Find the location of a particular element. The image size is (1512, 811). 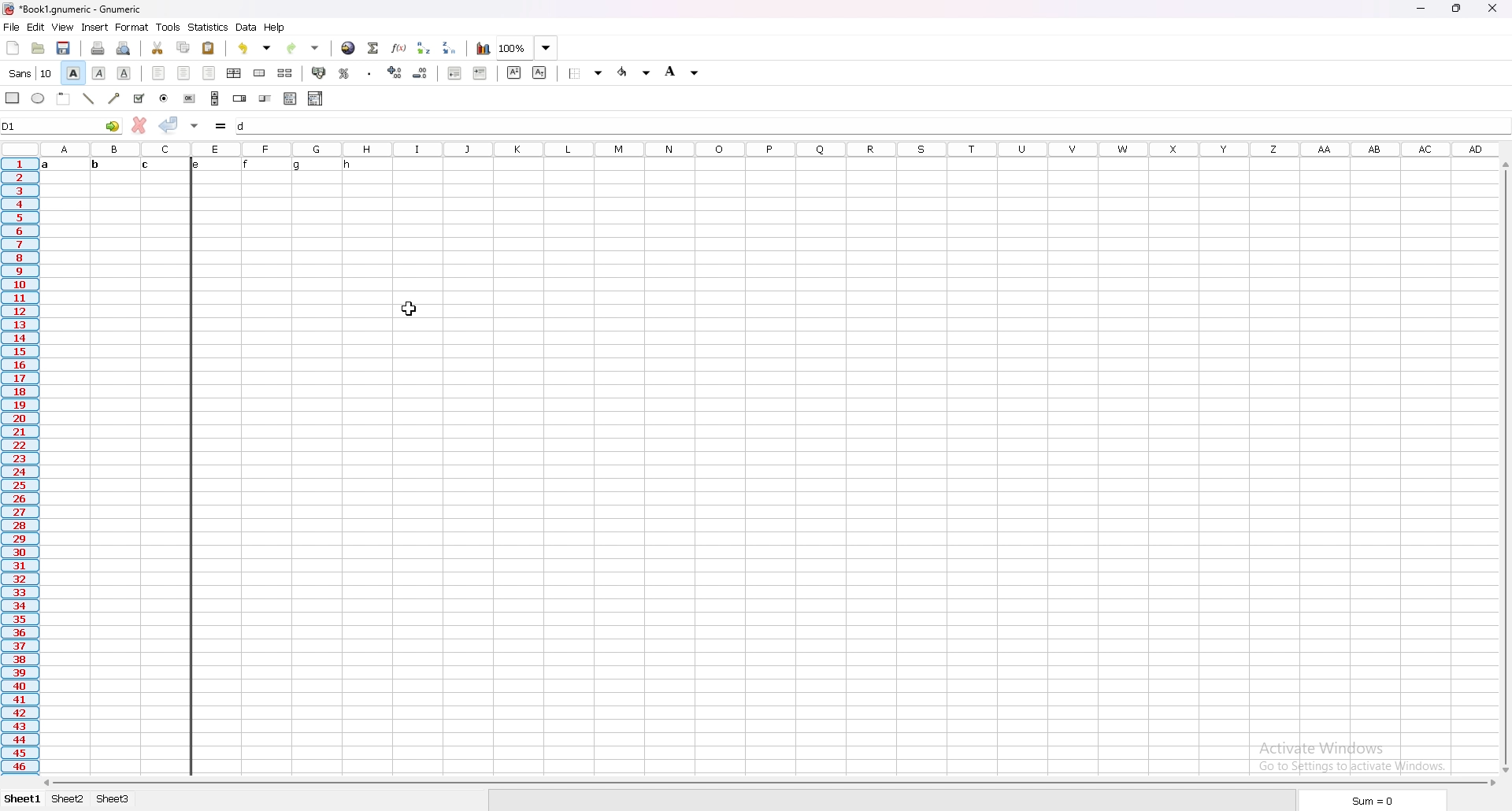

underline is located at coordinates (124, 73).